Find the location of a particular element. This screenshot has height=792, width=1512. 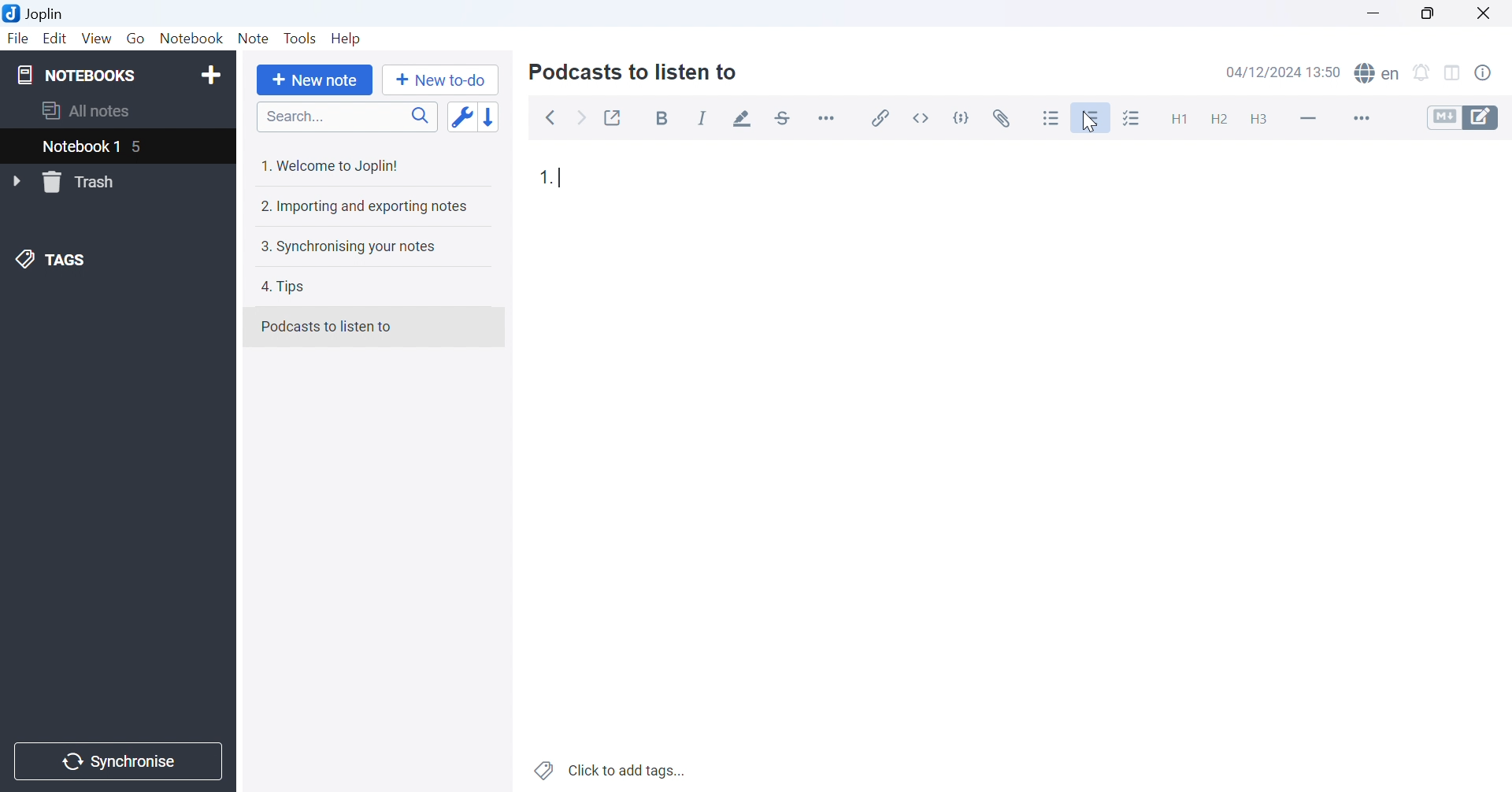

Edit is located at coordinates (56, 39).